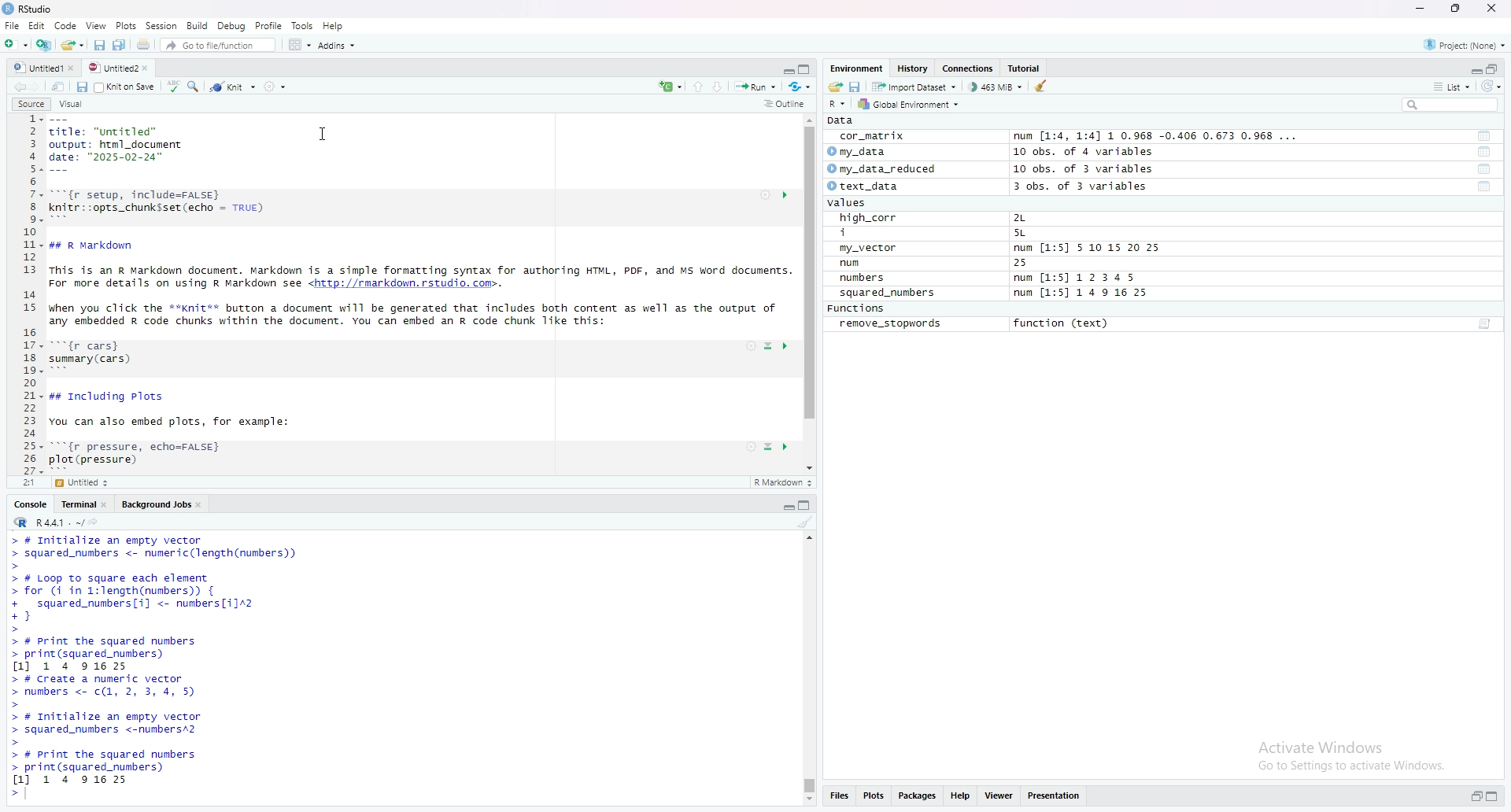  Describe the element at coordinates (94, 25) in the screenshot. I see `view` at that location.